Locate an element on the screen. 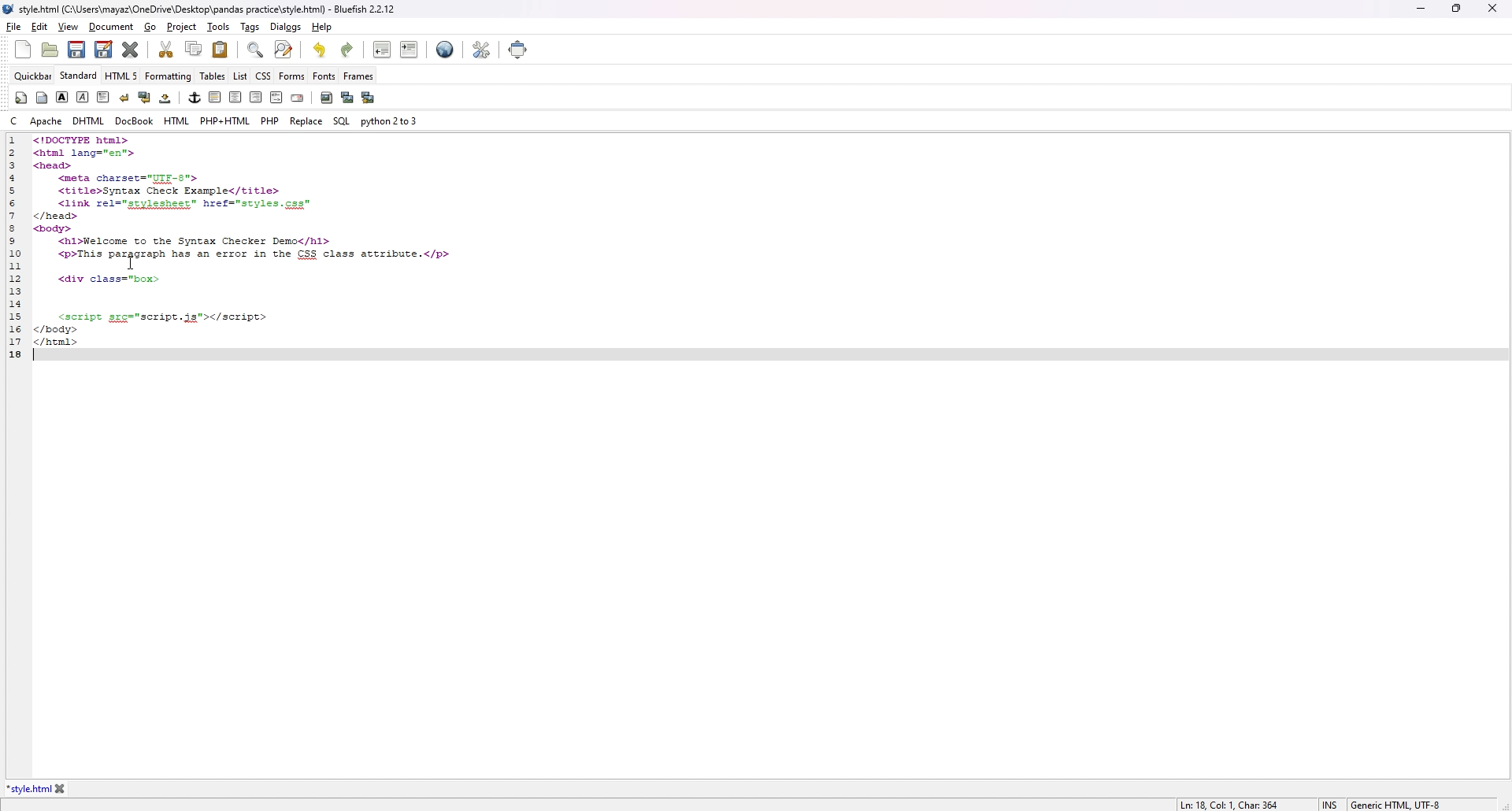  standard is located at coordinates (80, 75).